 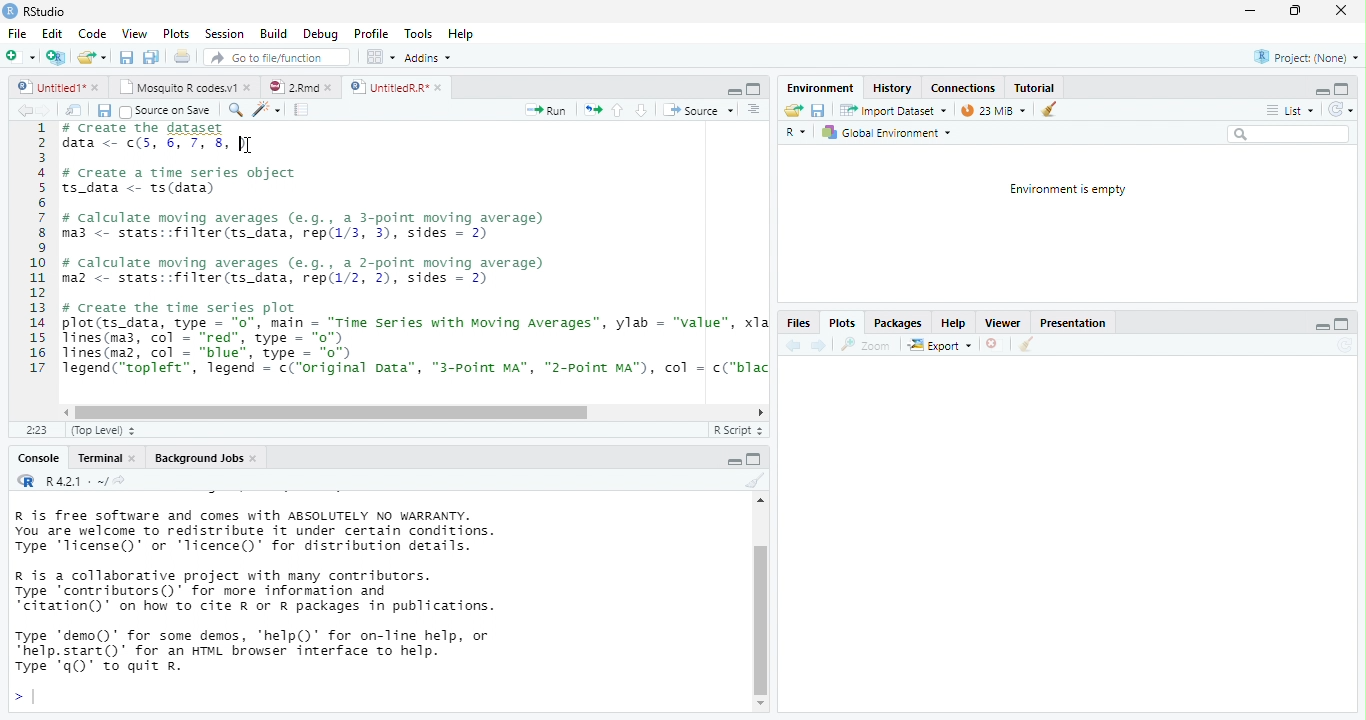 I want to click on Background Jobs, so click(x=197, y=458).